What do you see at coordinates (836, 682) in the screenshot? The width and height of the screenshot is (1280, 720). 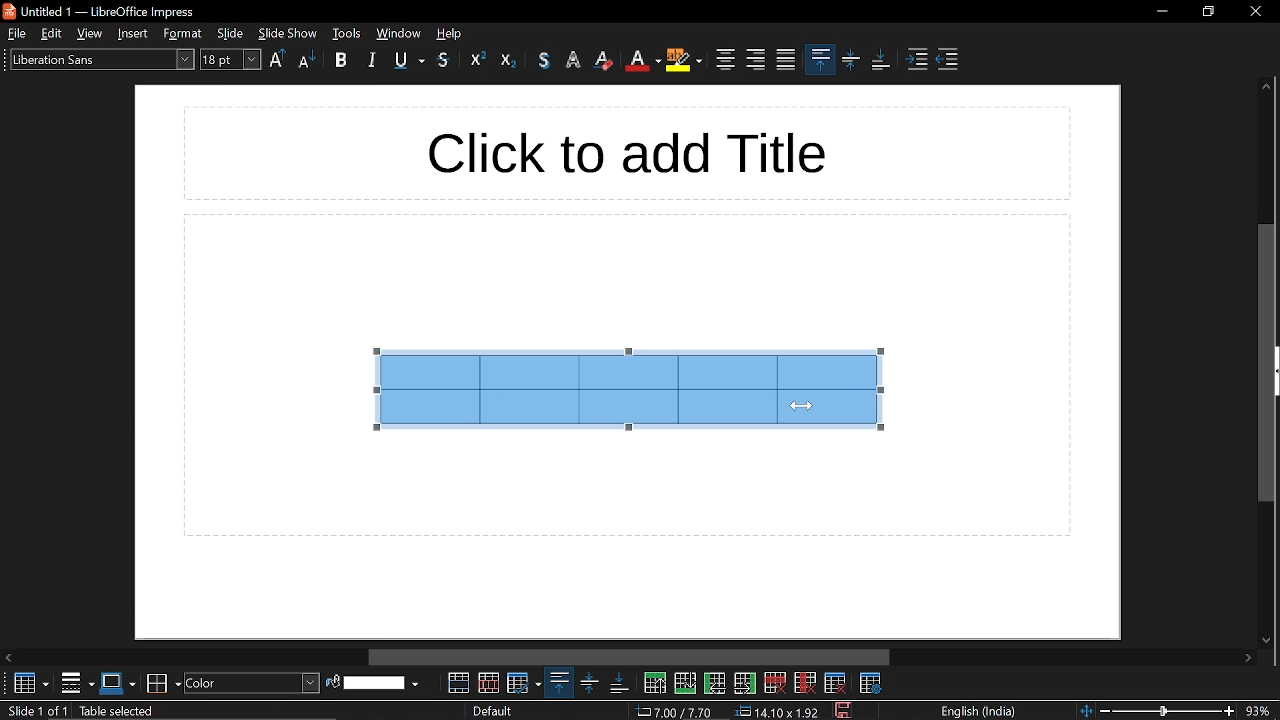 I see `delete table` at bounding box center [836, 682].